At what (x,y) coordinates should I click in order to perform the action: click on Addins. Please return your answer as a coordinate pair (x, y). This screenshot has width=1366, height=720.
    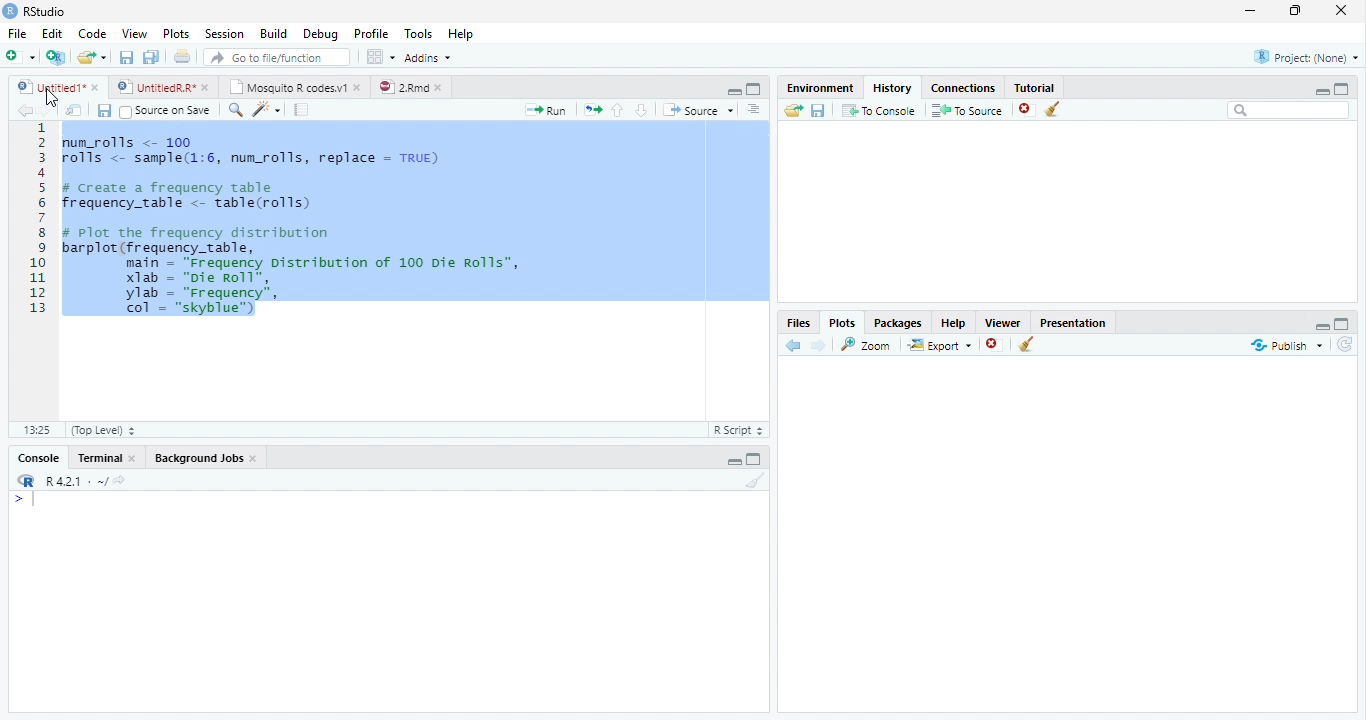
    Looking at the image, I should click on (431, 56).